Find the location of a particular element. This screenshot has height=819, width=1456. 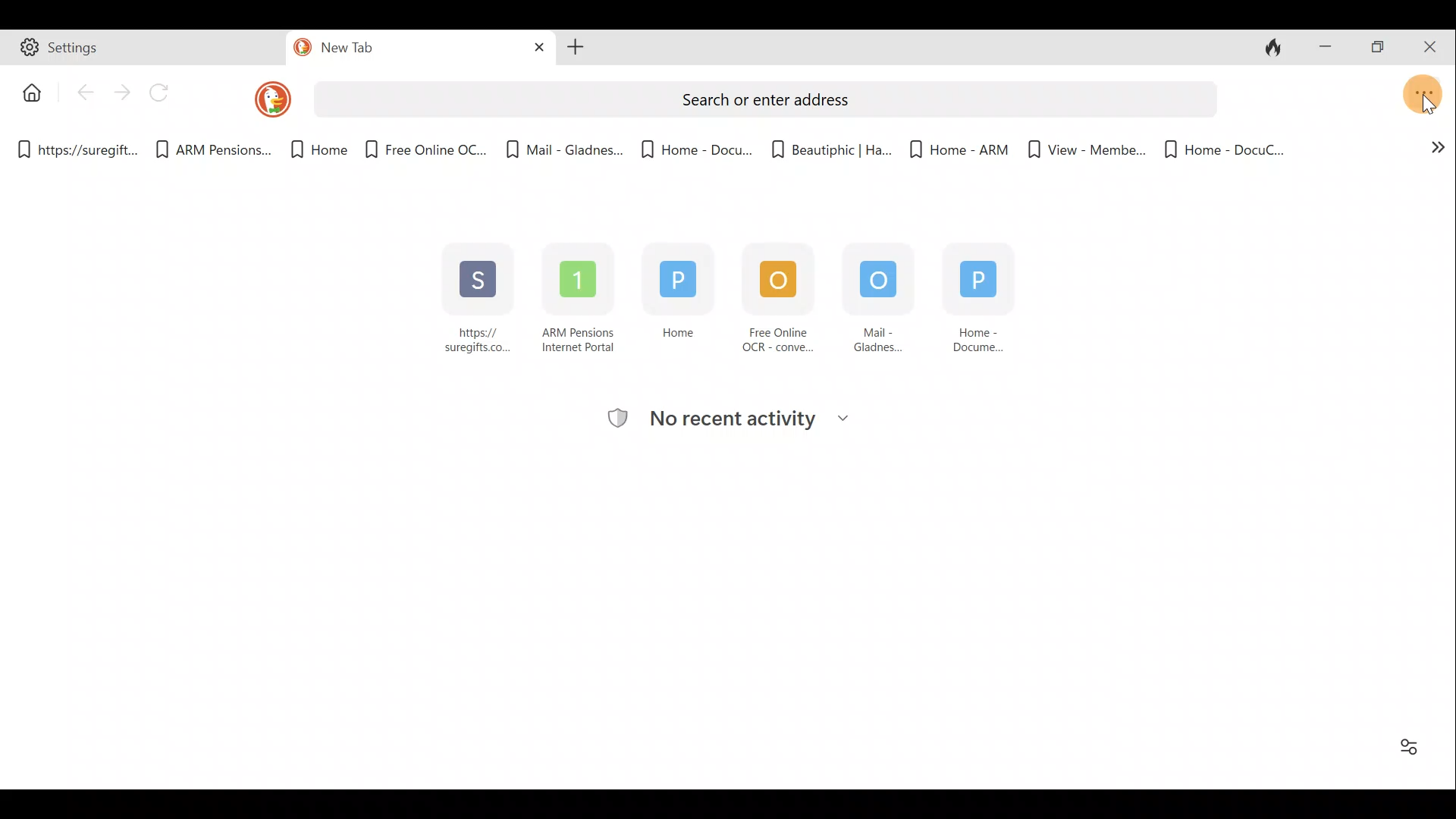

Enable/Disable "Favorites" and "Recent Activity" is located at coordinates (1404, 742).